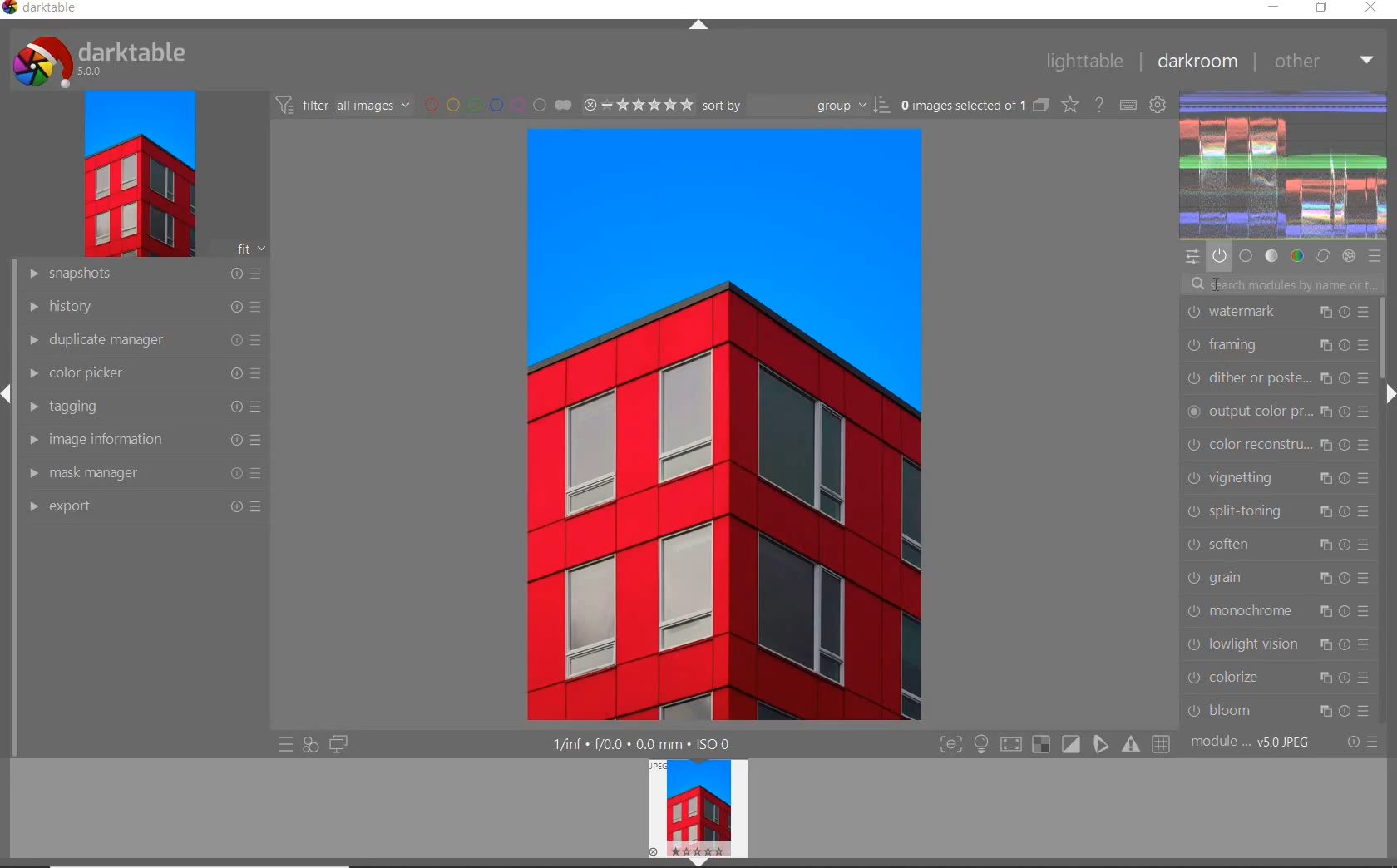 The height and width of the screenshot is (868, 1397). What do you see at coordinates (1285, 163) in the screenshot?
I see `waveform` at bounding box center [1285, 163].